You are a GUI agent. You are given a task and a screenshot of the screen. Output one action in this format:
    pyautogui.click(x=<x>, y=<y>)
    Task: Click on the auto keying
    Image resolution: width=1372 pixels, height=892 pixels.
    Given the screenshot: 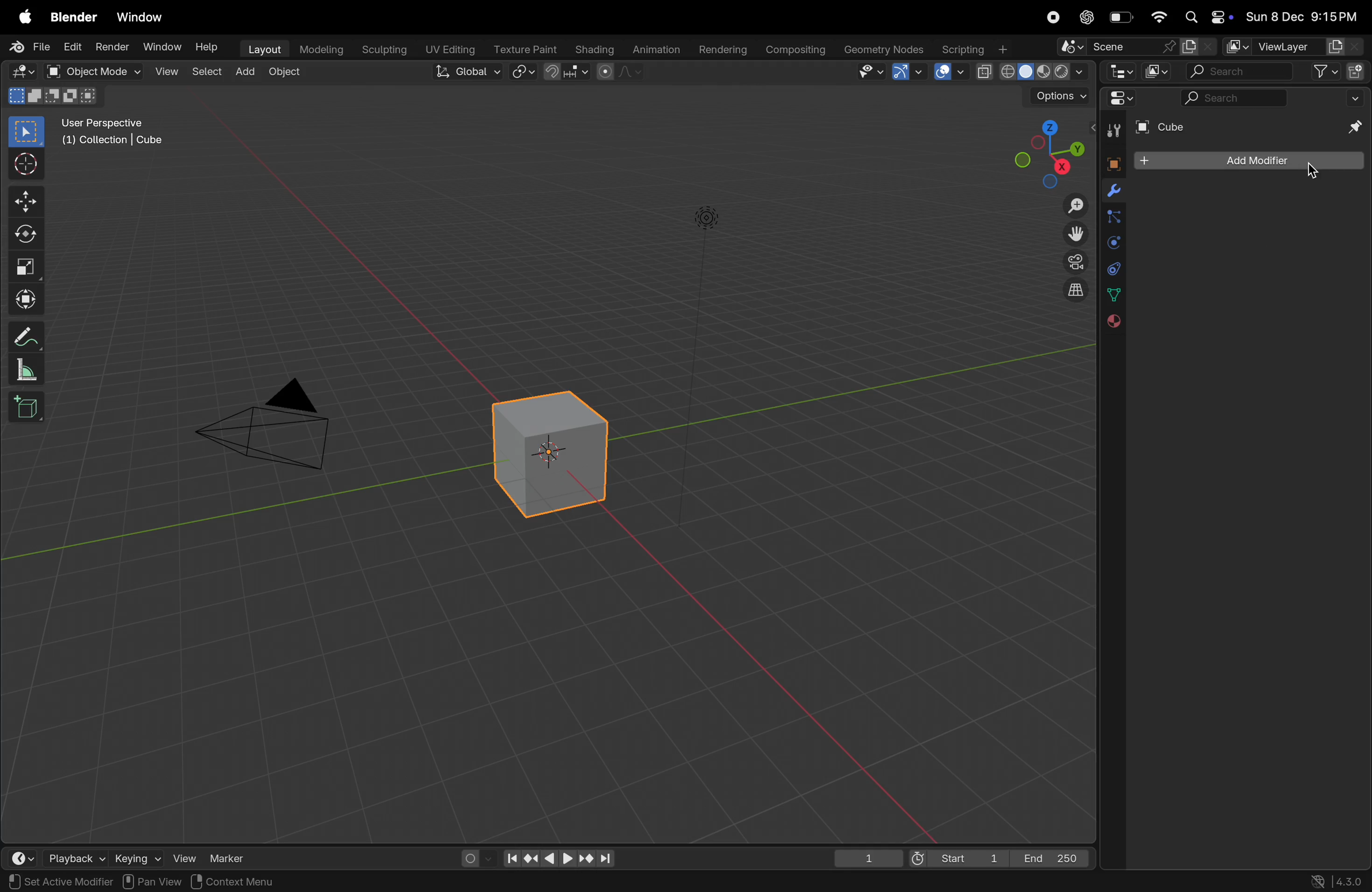 What is the action you would take?
    pyautogui.click(x=472, y=856)
    